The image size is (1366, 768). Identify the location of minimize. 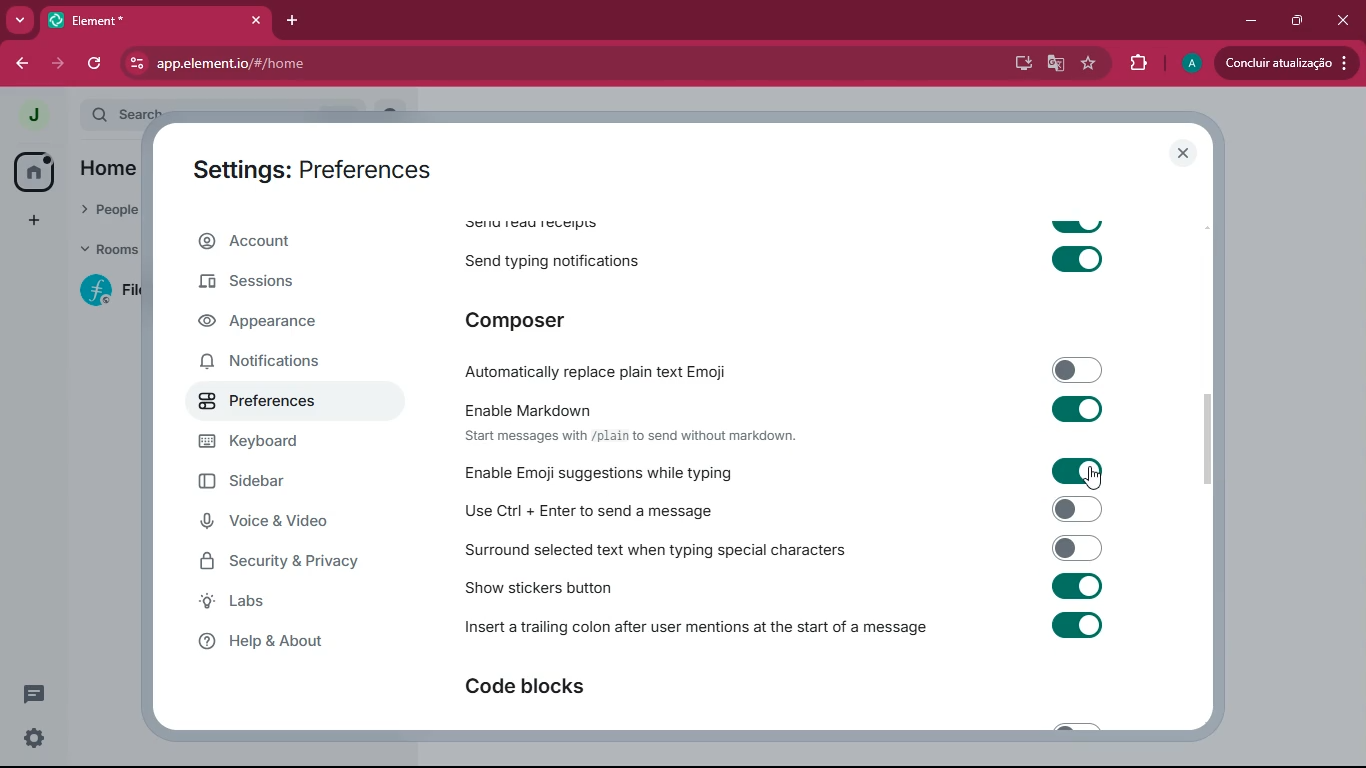
(1247, 21).